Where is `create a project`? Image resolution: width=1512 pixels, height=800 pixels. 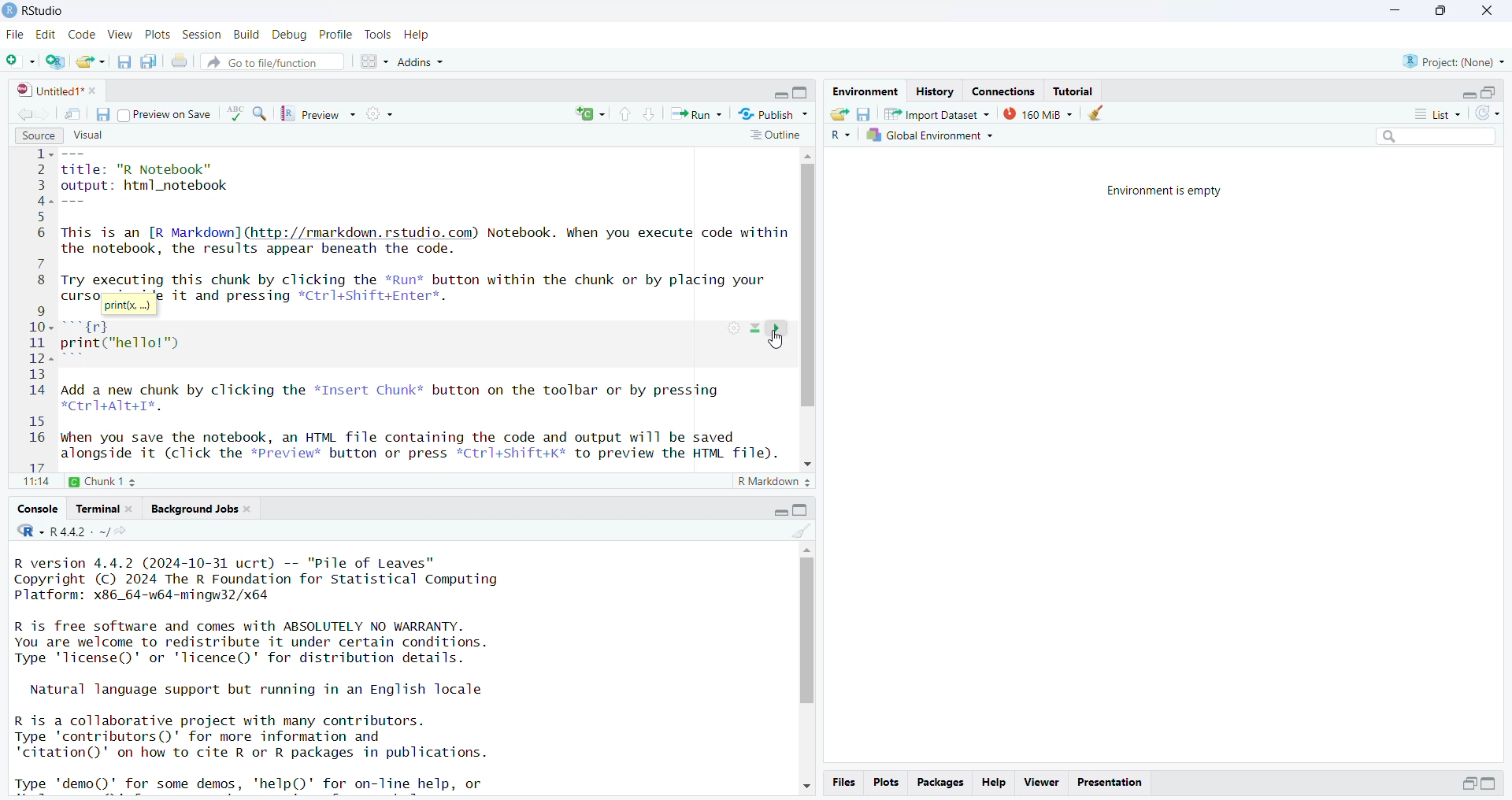 create a project is located at coordinates (57, 61).